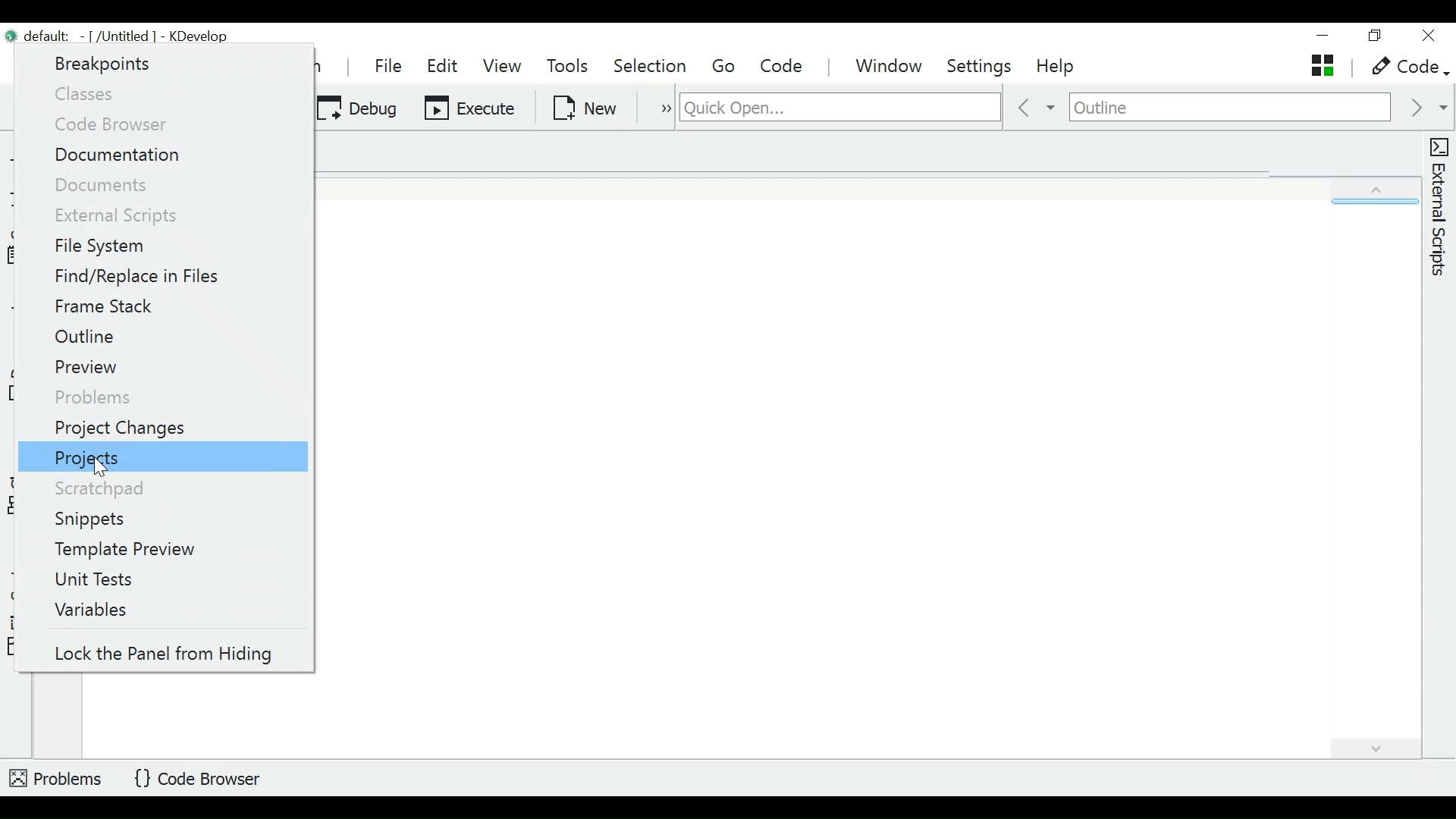 This screenshot has height=819, width=1456. I want to click on lock the panel from hiding, so click(165, 656).